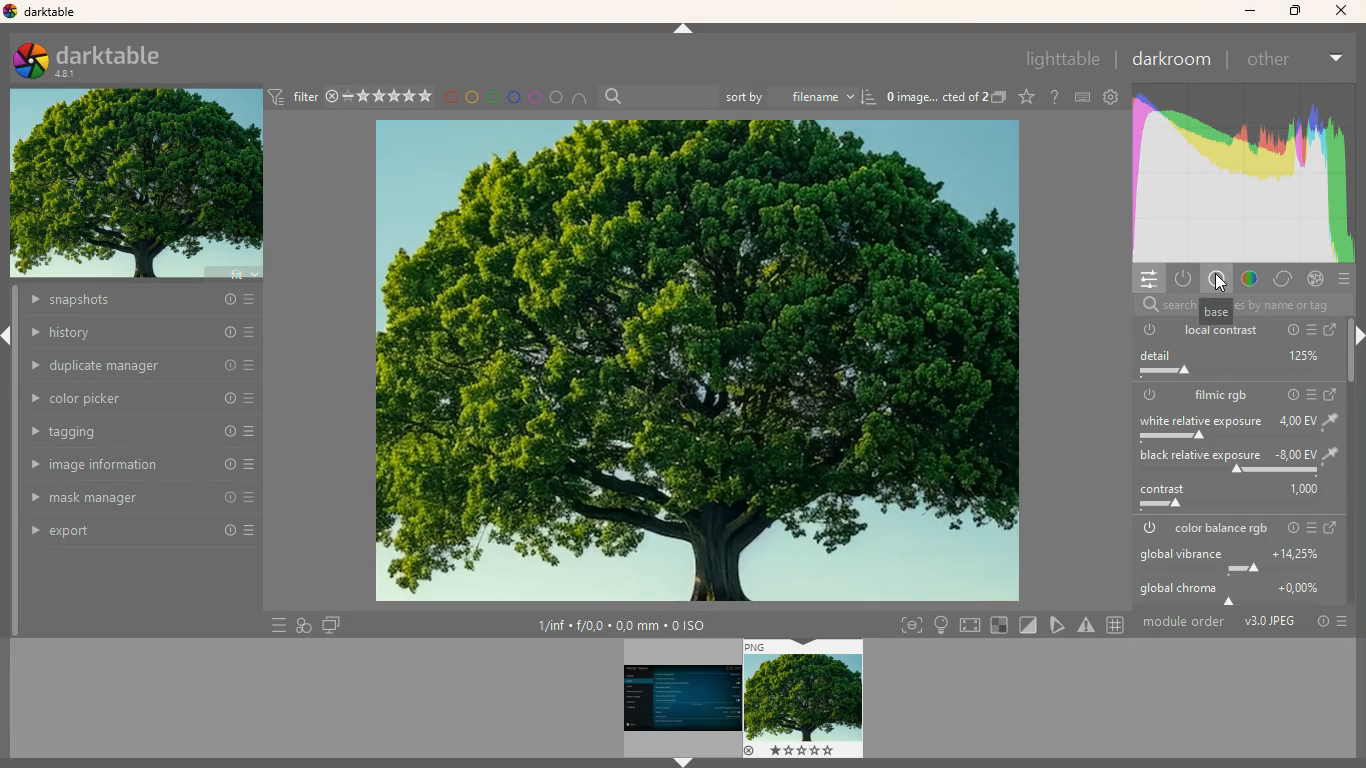  Describe the element at coordinates (1026, 624) in the screenshot. I see `diagonal` at that location.